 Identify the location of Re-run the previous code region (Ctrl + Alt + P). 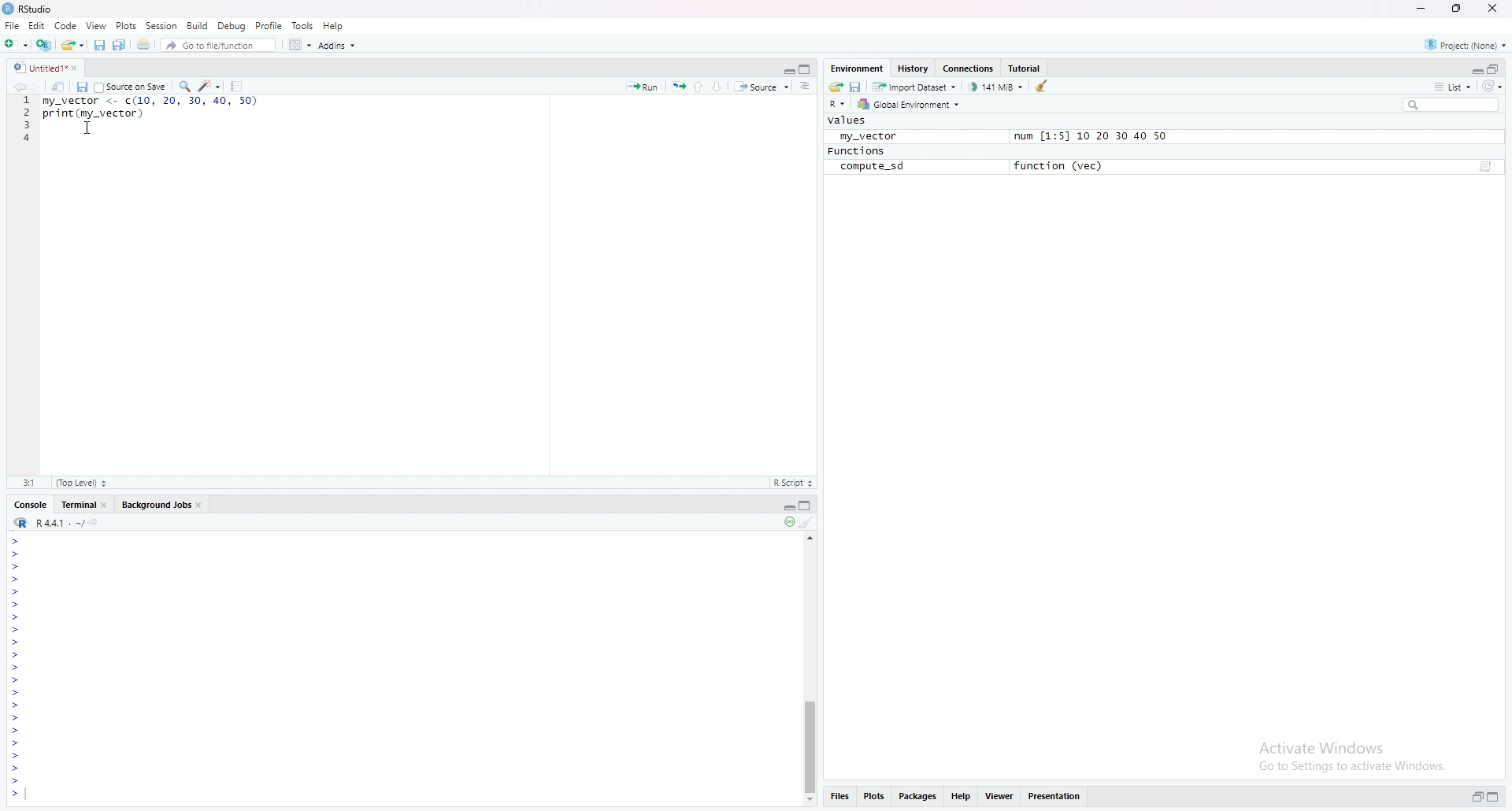
(677, 87).